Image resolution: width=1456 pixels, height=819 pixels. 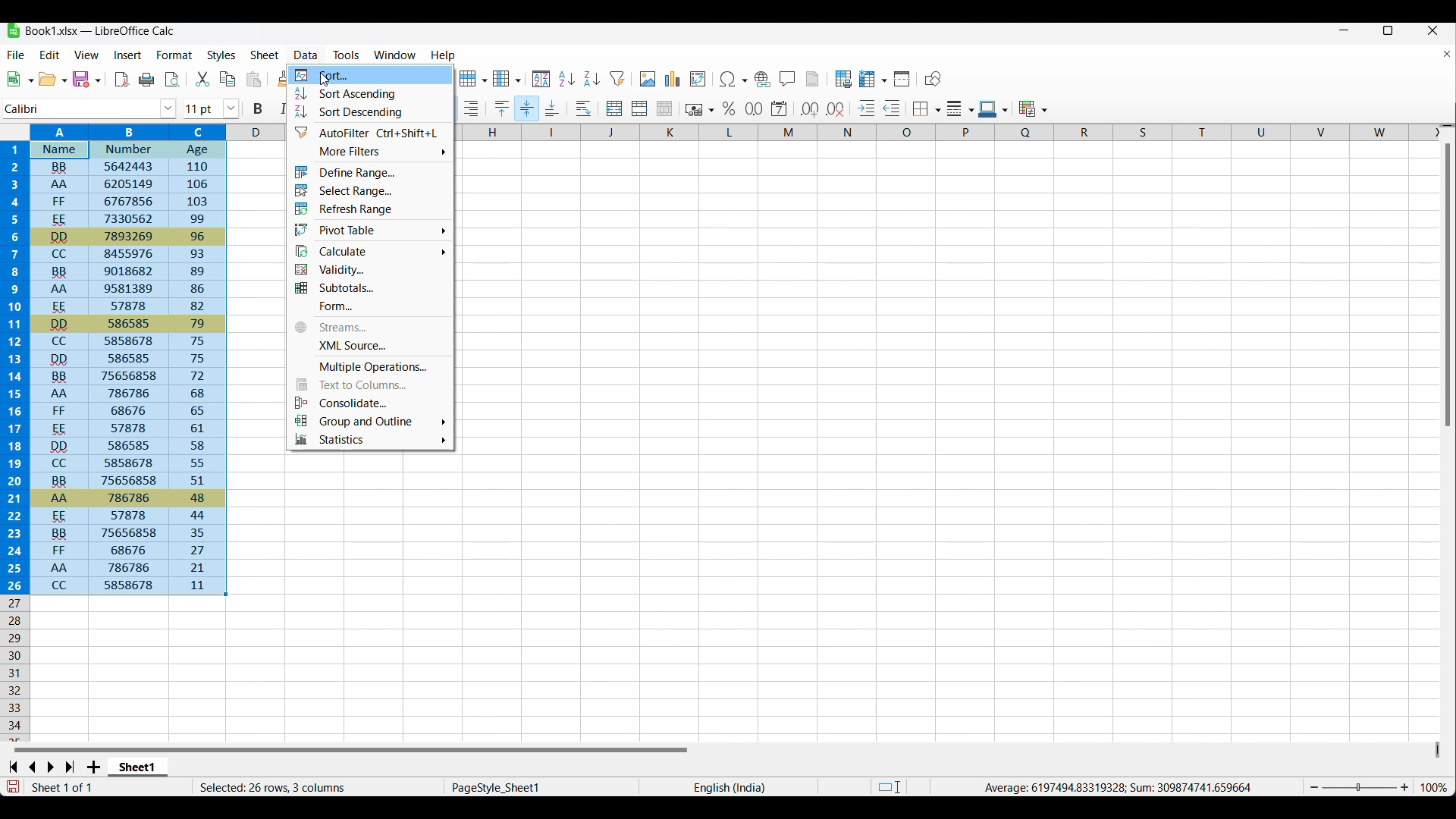 What do you see at coordinates (553, 108) in the screenshot?
I see `Align bottom` at bounding box center [553, 108].